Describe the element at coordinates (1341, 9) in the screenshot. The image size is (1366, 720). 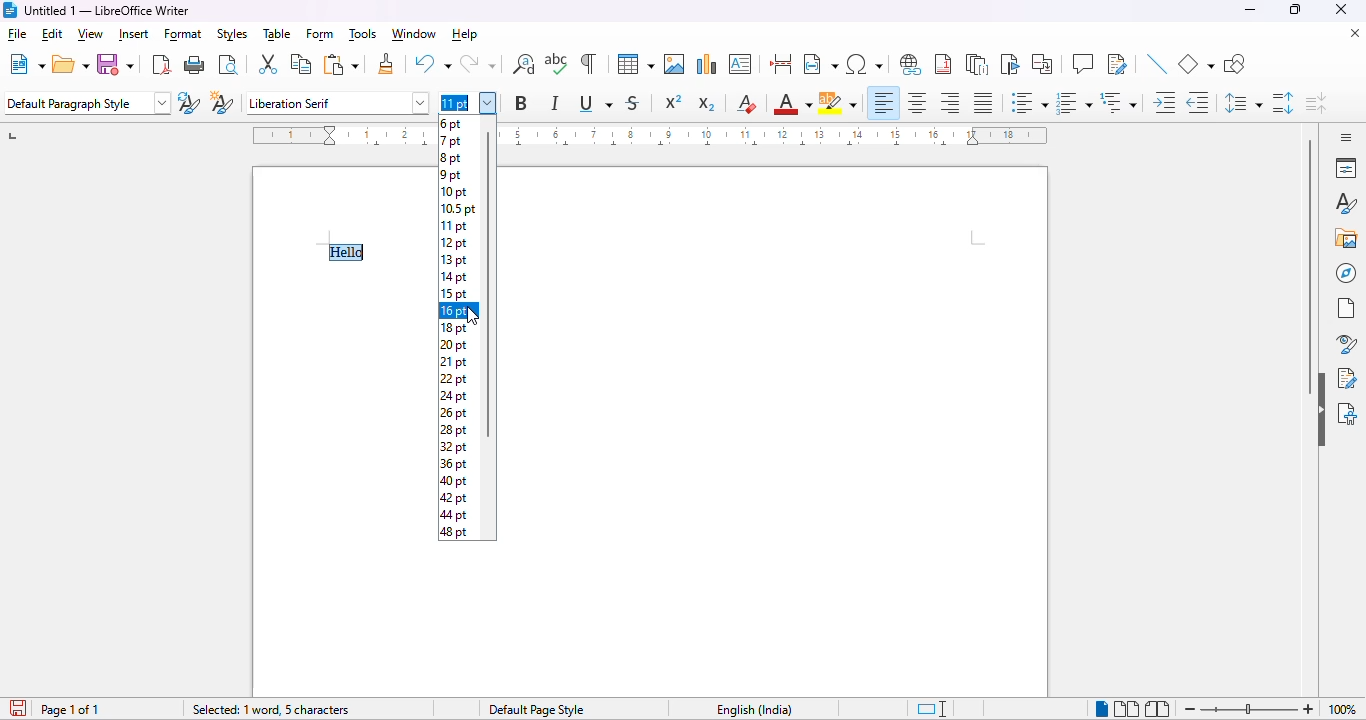
I see `close` at that location.